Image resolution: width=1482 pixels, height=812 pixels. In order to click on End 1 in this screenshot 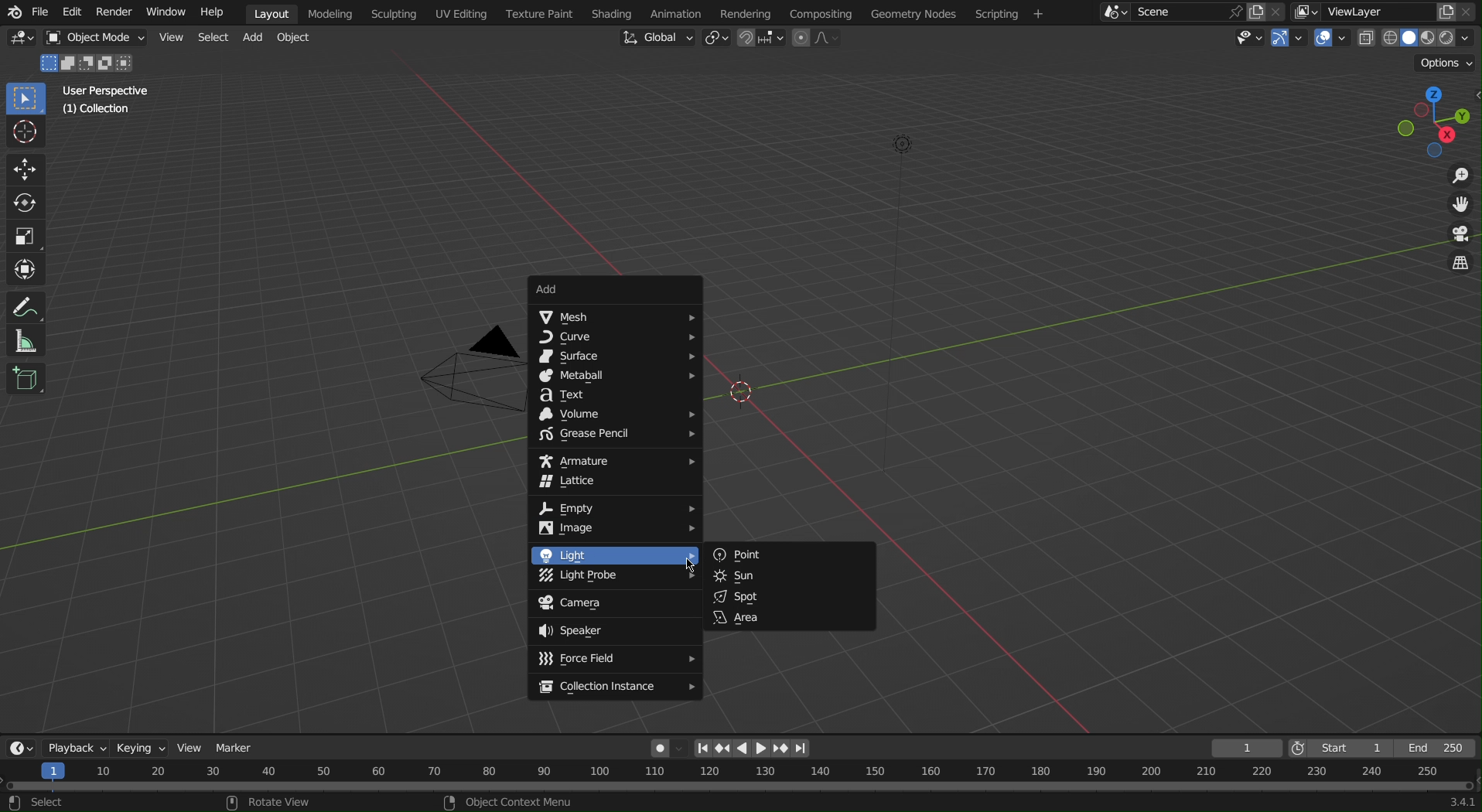, I will do `click(1443, 749)`.